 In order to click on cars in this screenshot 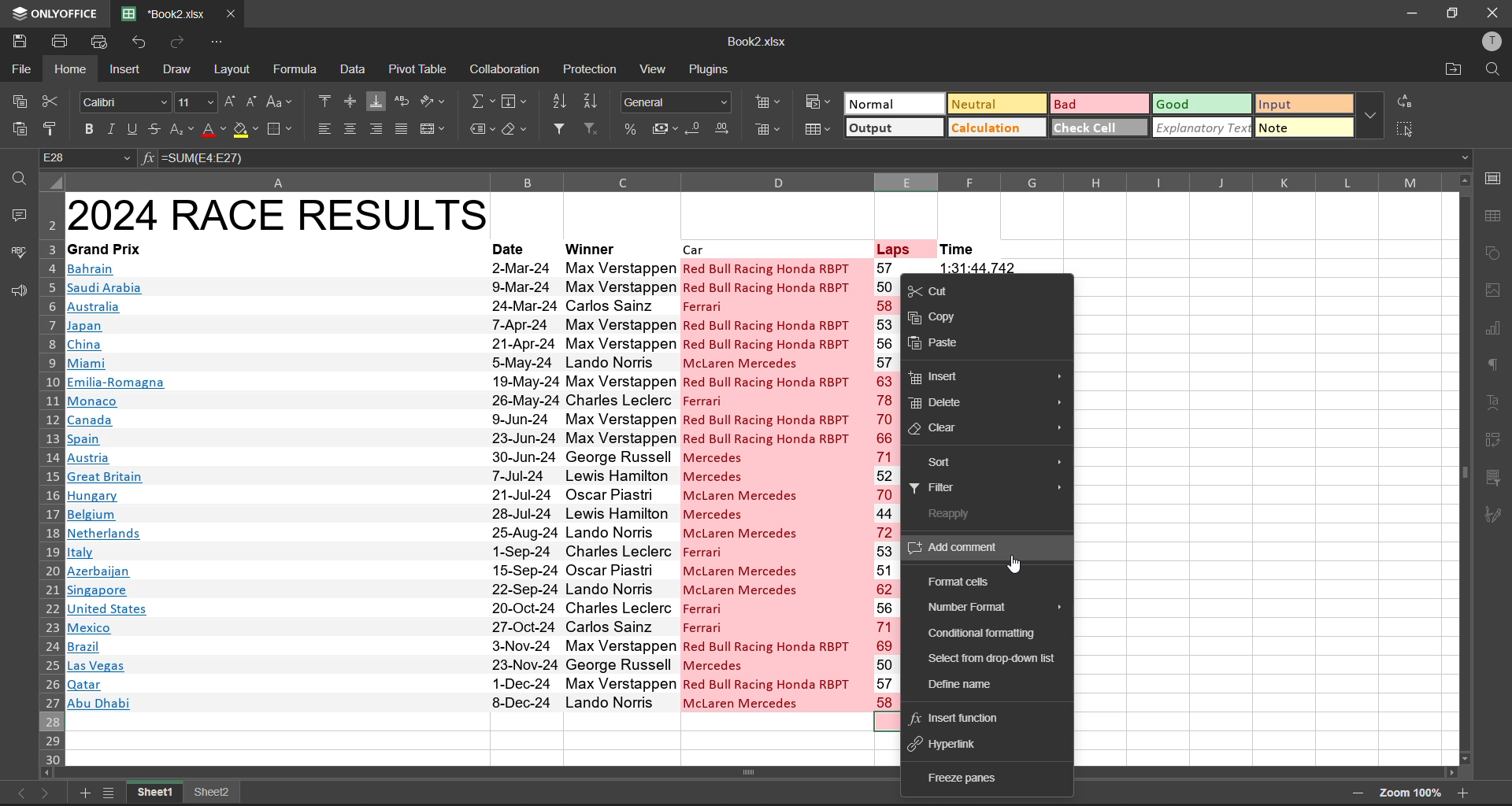, I will do `click(769, 485)`.